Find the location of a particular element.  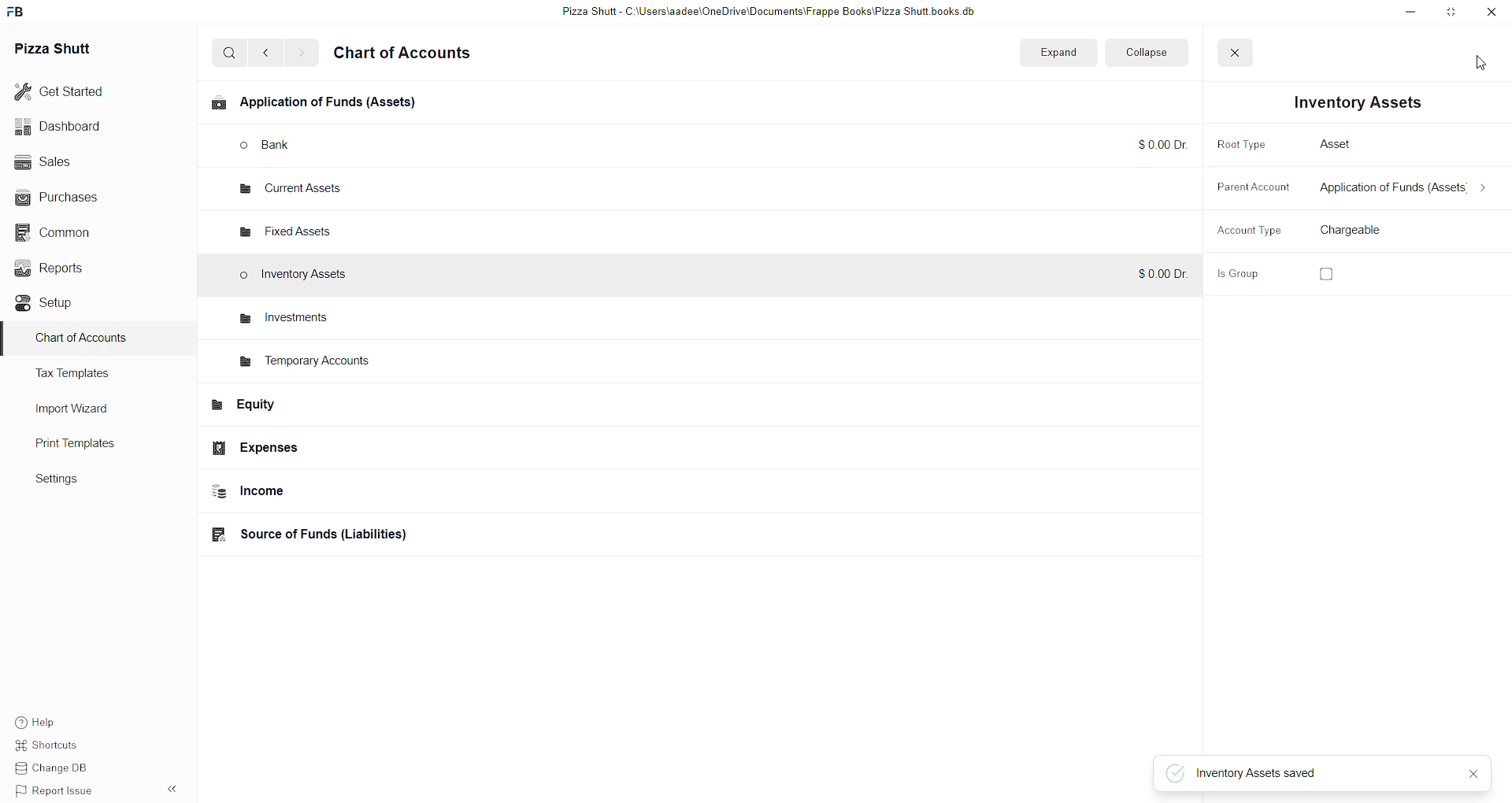

Charts of Accounts  is located at coordinates (83, 342).